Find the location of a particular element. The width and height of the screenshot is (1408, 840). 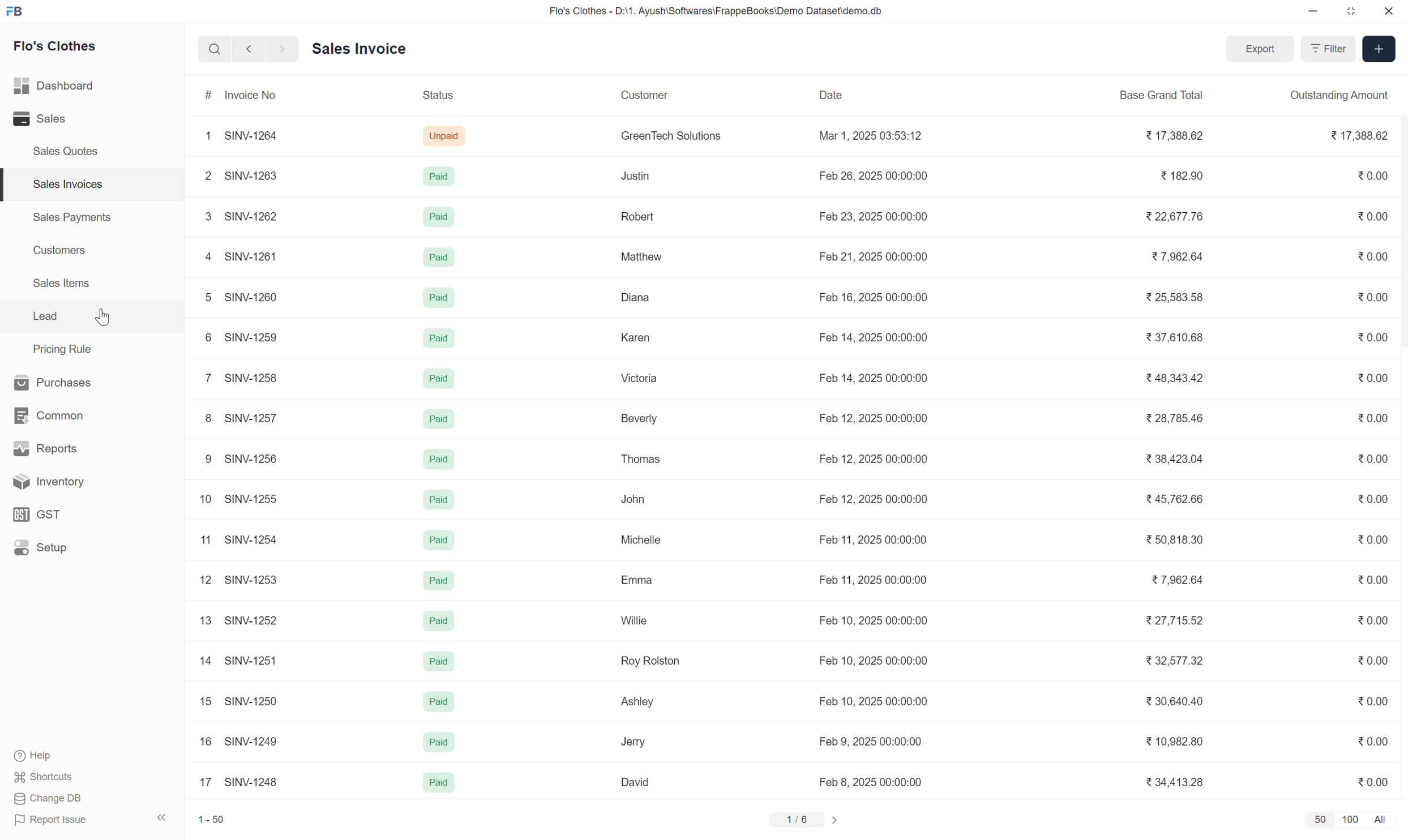

Thomas is located at coordinates (636, 458).